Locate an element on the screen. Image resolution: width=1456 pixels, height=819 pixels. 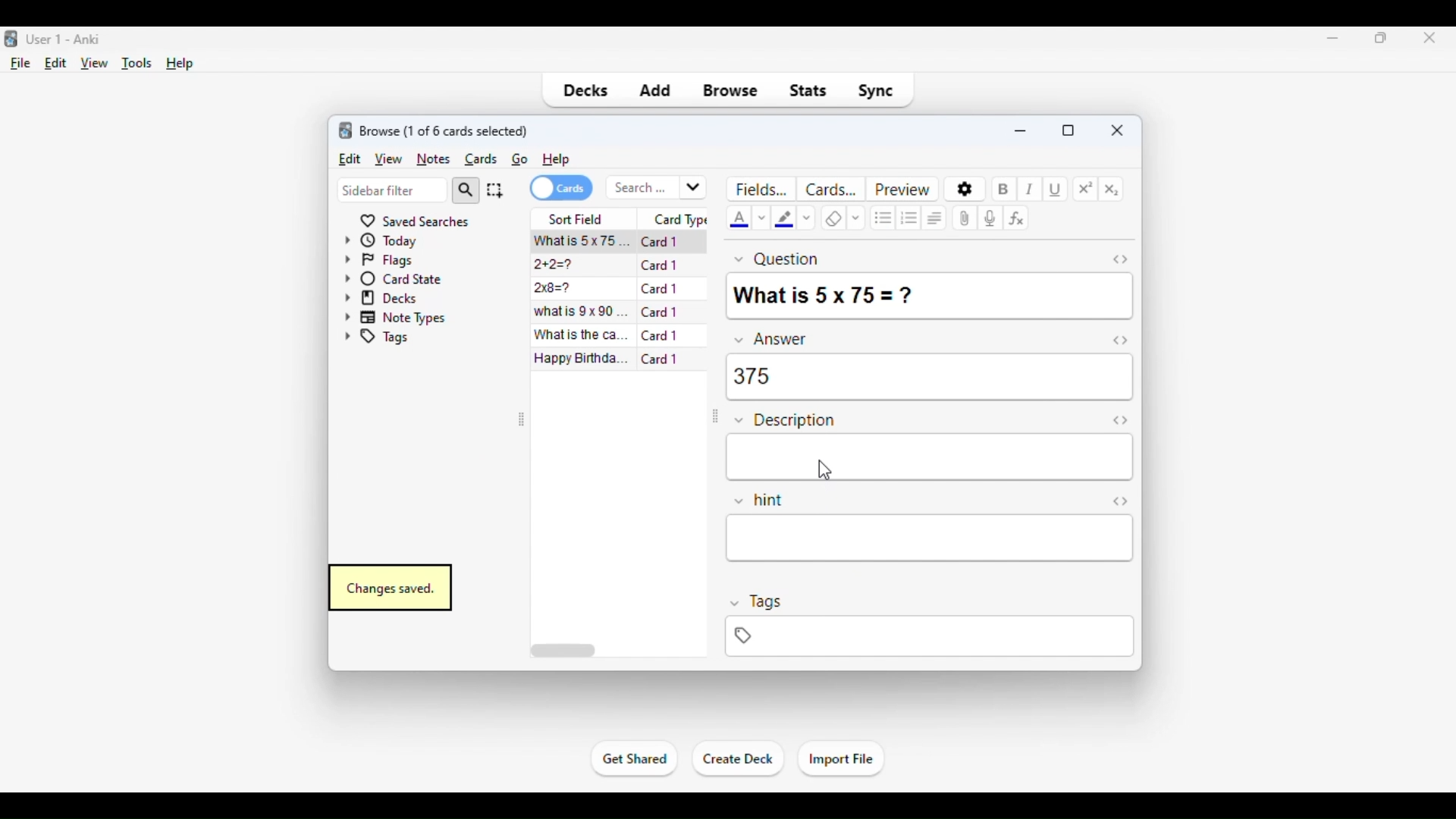
preview is located at coordinates (902, 188).